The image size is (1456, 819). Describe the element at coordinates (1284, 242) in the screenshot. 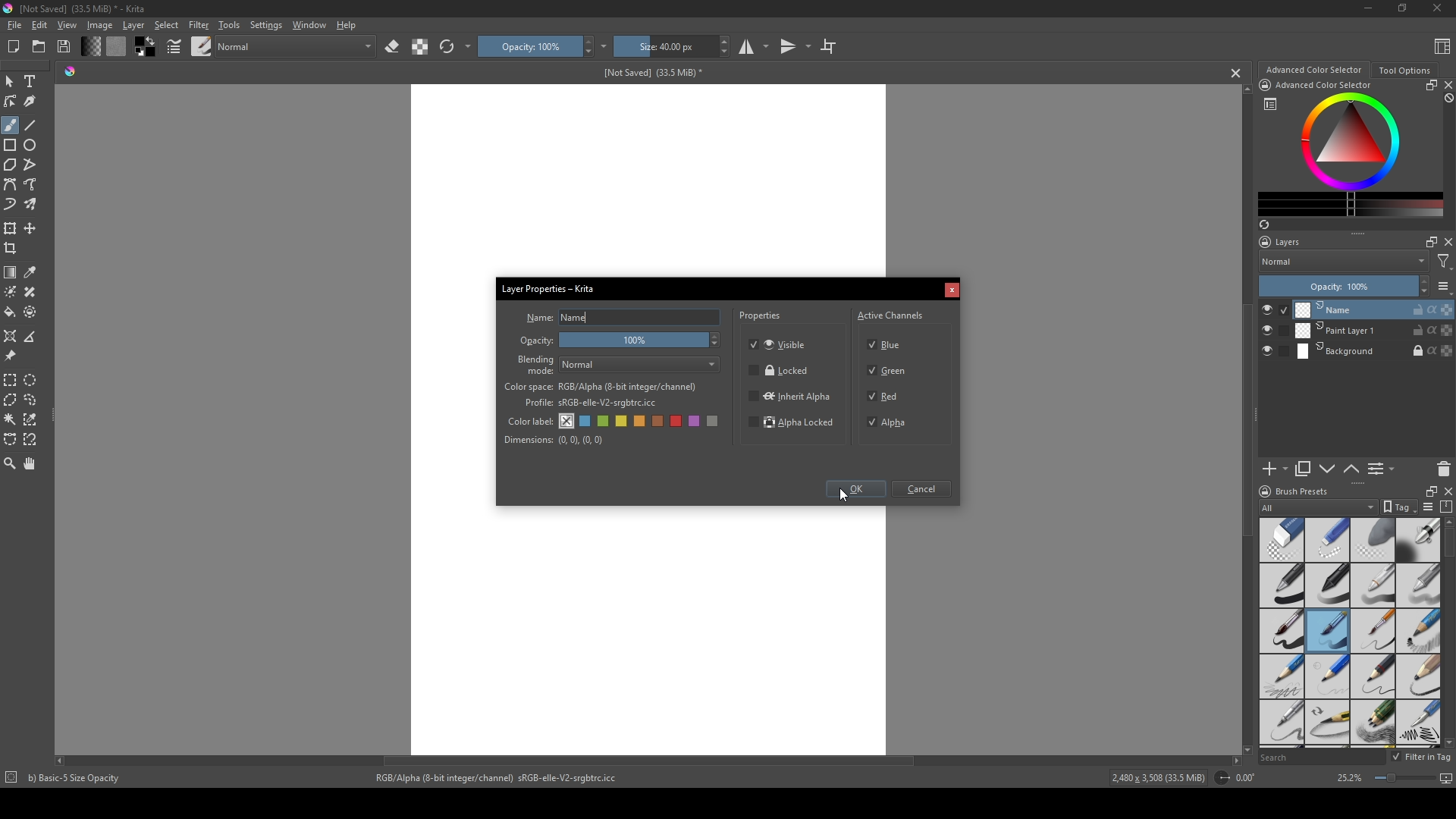

I see `Layers` at that location.